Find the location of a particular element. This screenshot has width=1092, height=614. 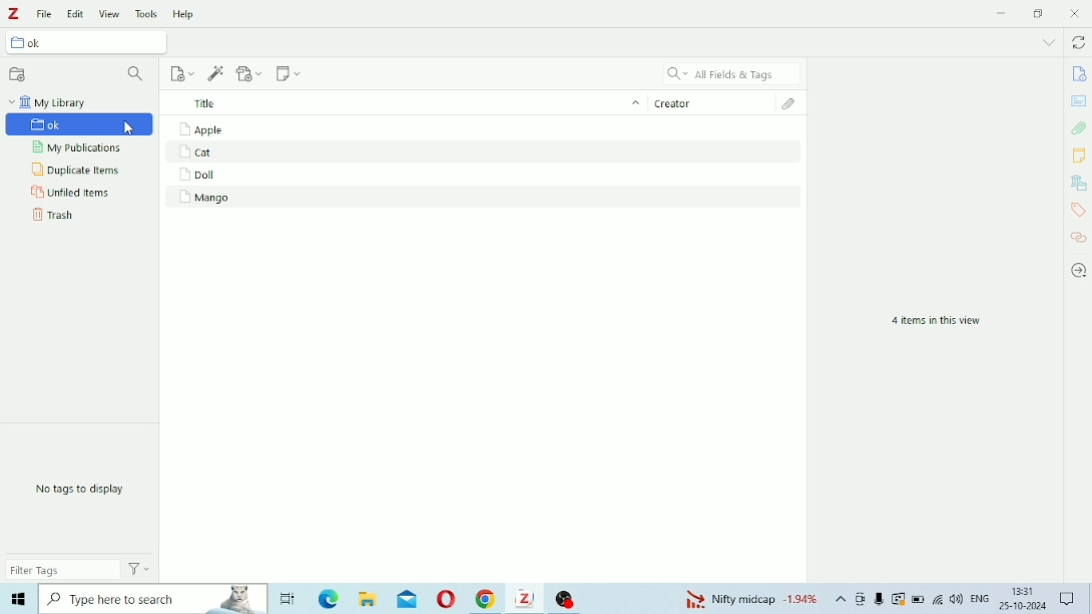

4 items in this view is located at coordinates (936, 321).